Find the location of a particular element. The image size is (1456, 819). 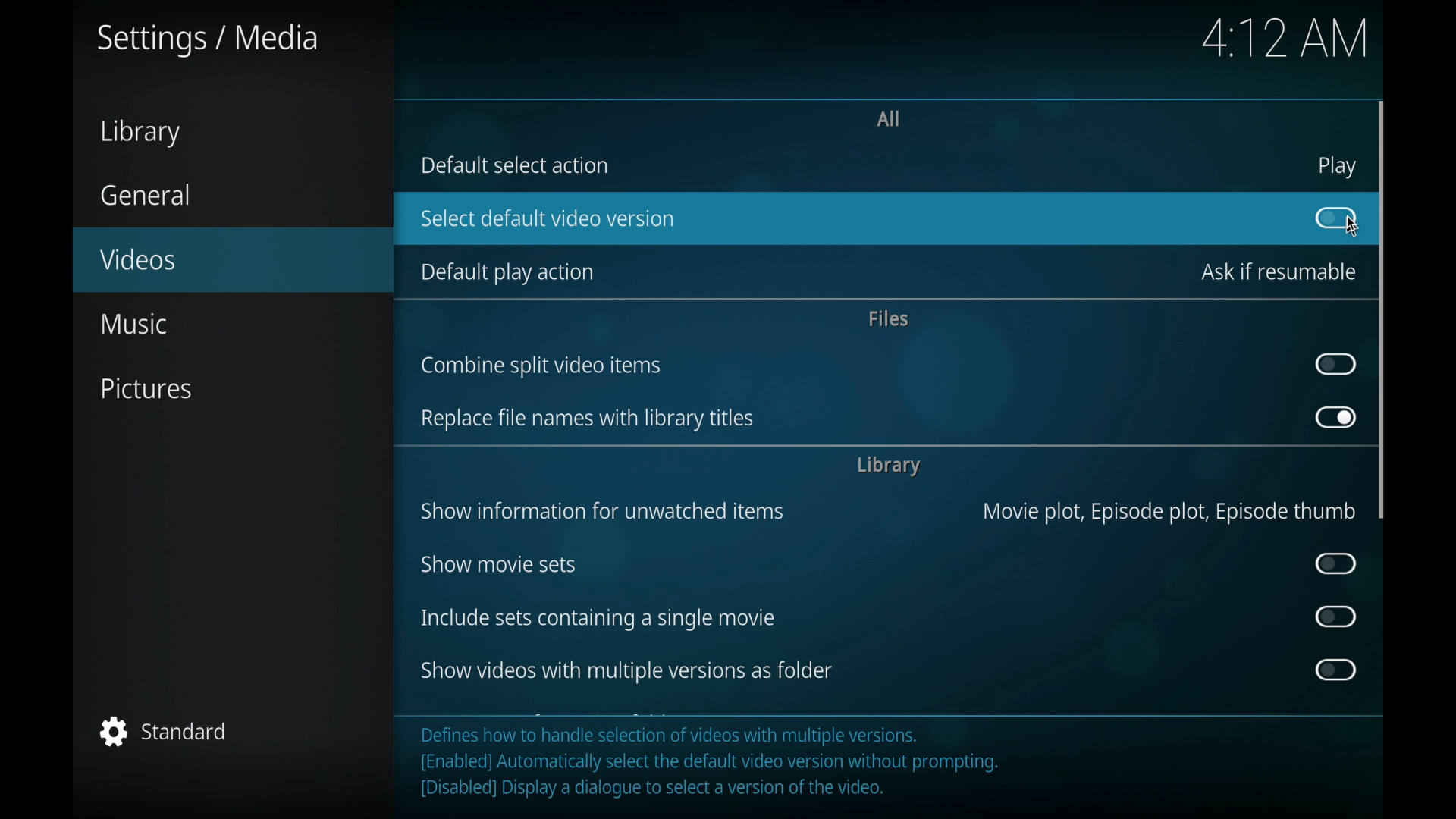

all is located at coordinates (889, 118).